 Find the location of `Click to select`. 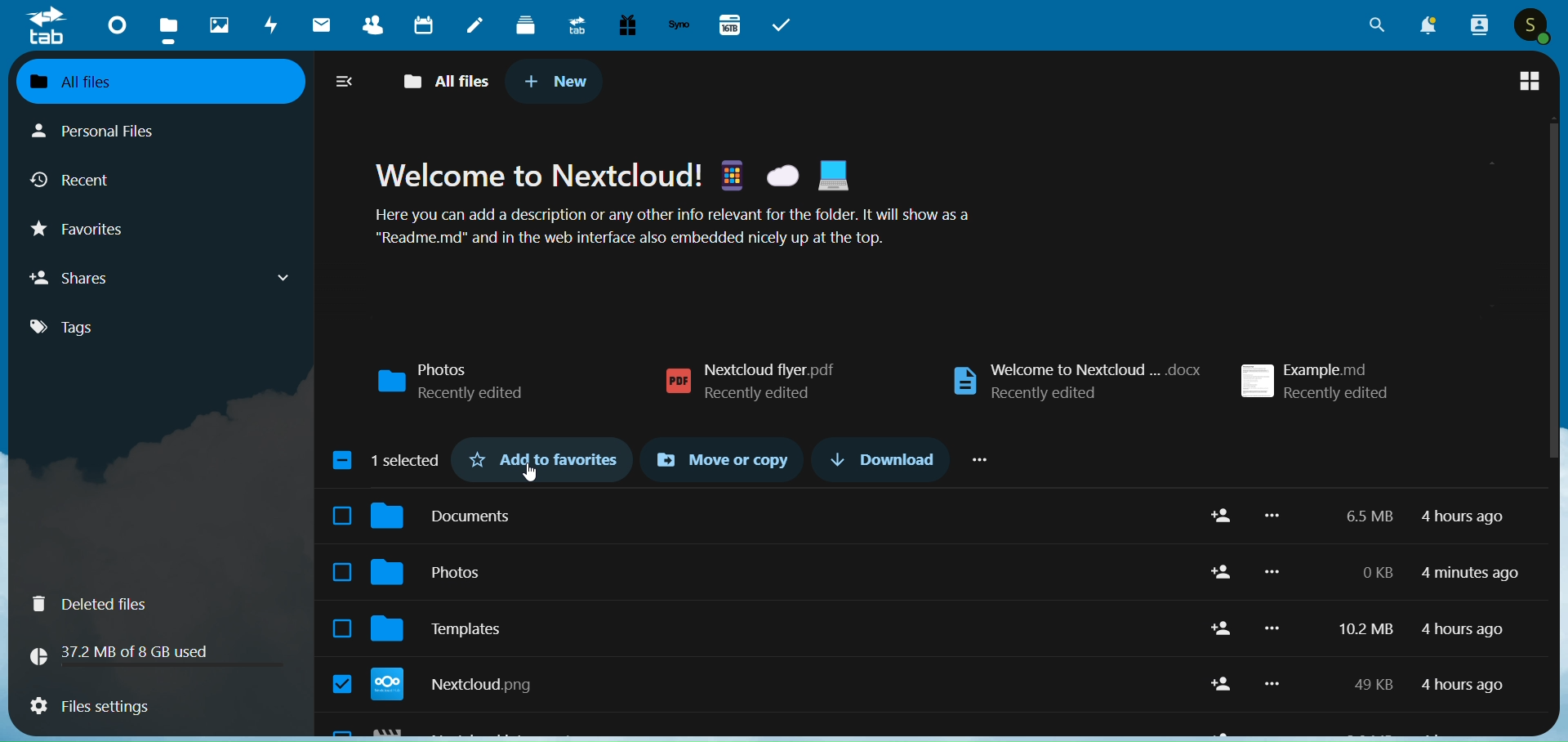

Click to select is located at coordinates (342, 628).